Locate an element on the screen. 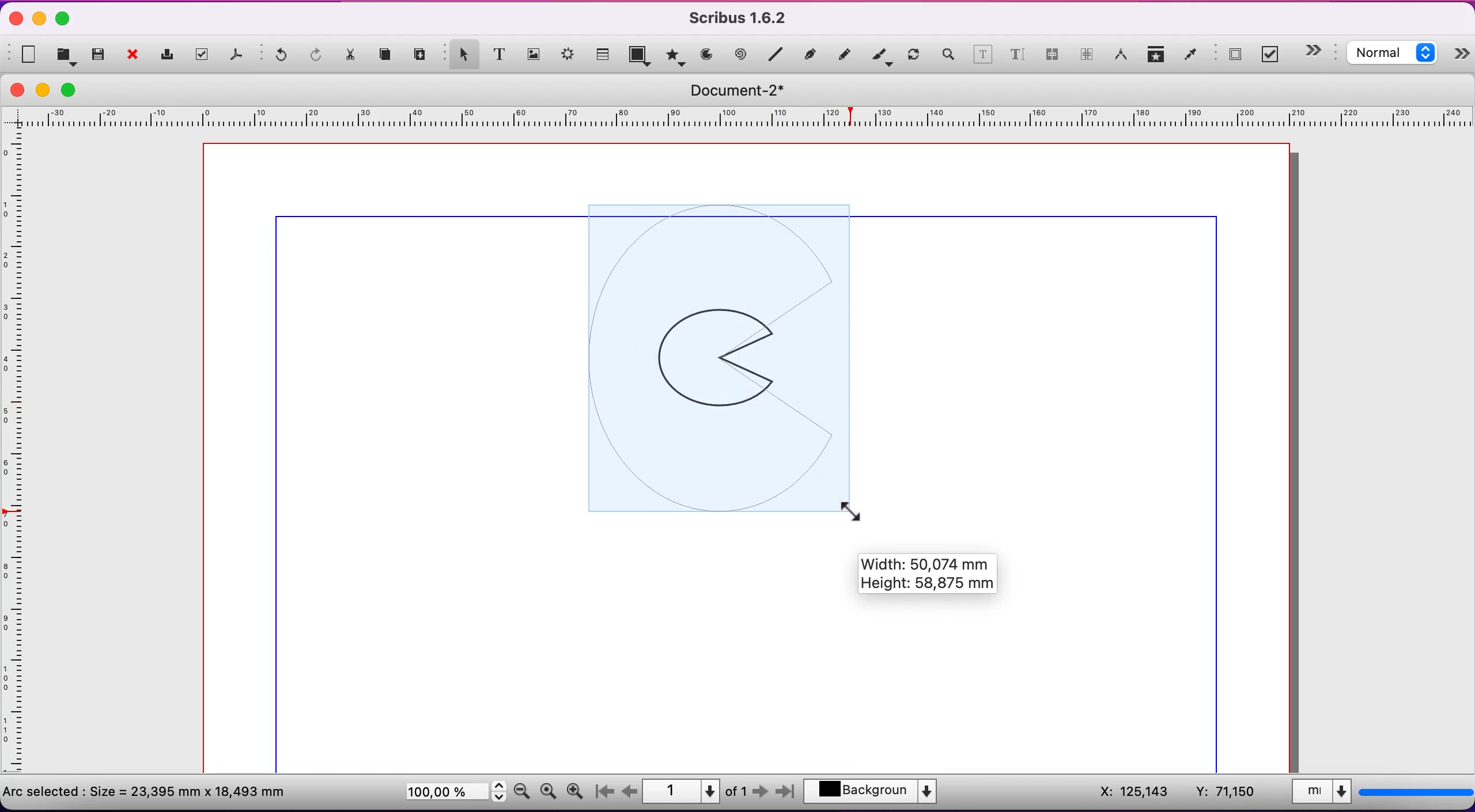  zoom out is located at coordinates (522, 790).